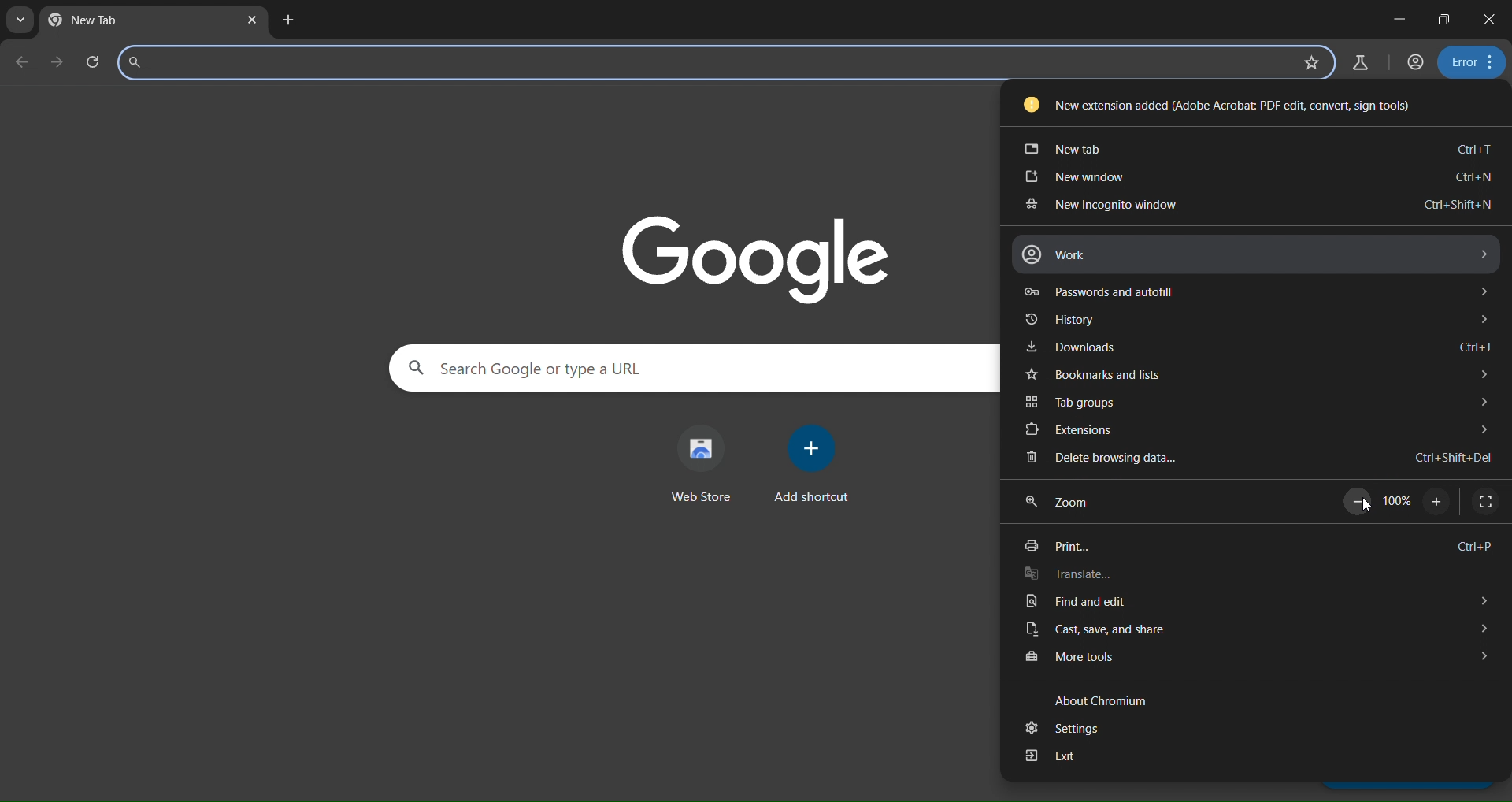 This screenshot has width=1512, height=802. What do you see at coordinates (1265, 347) in the screenshot?
I see `downloads` at bounding box center [1265, 347].